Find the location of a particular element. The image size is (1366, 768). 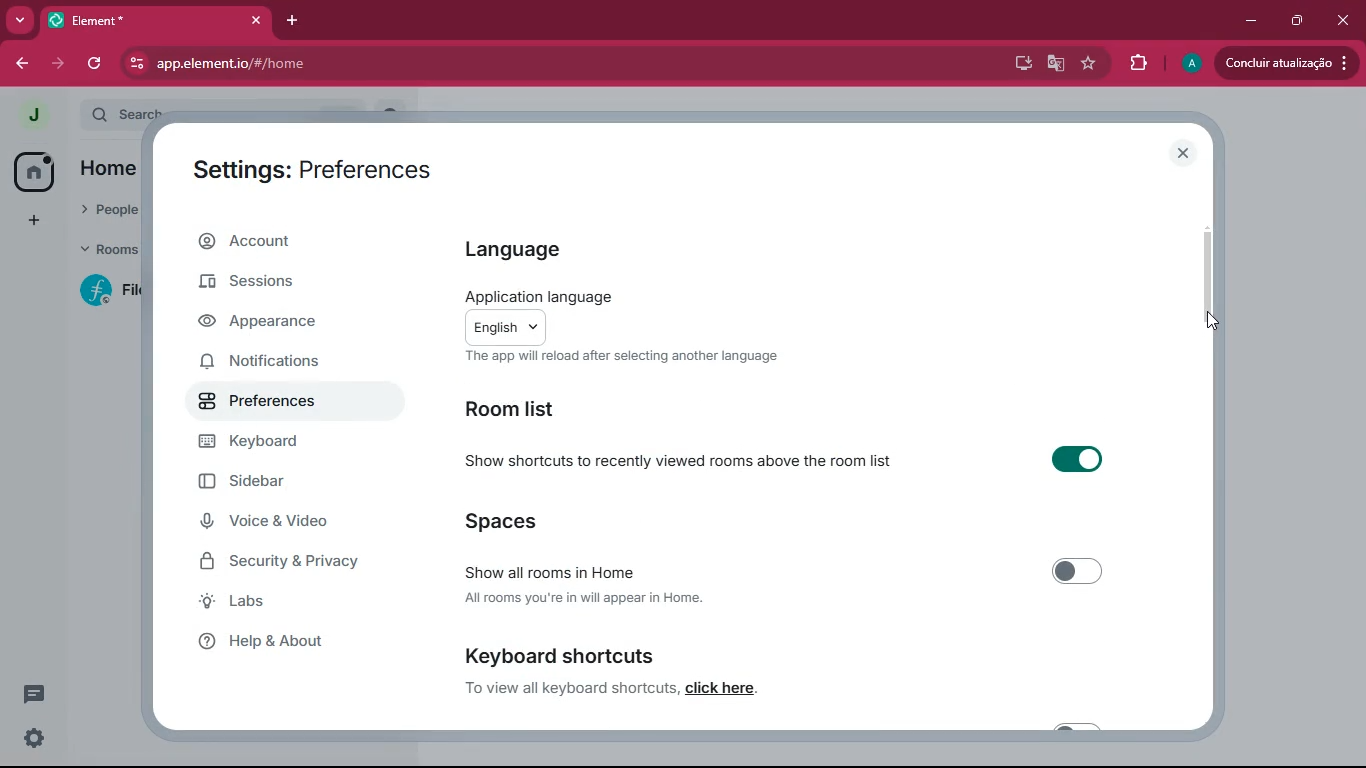

show all rooms is located at coordinates (786, 584).